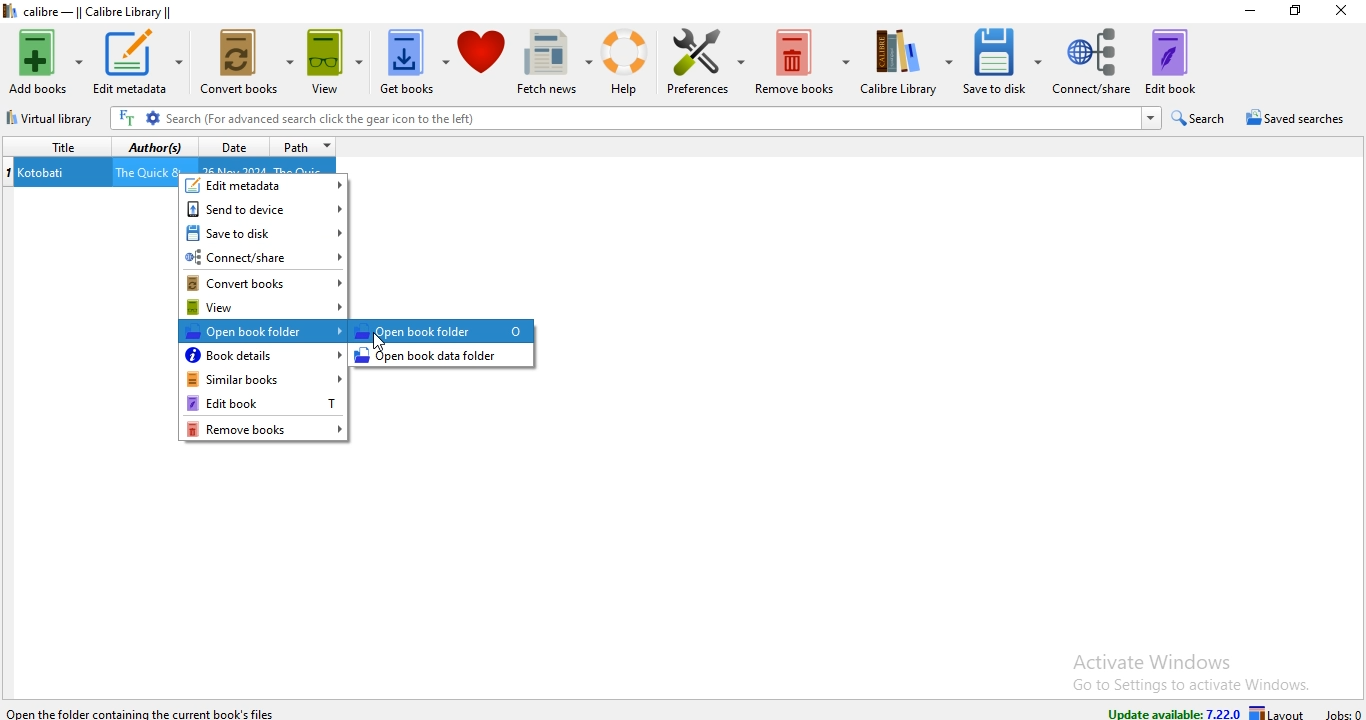  I want to click on restore, so click(1292, 10).